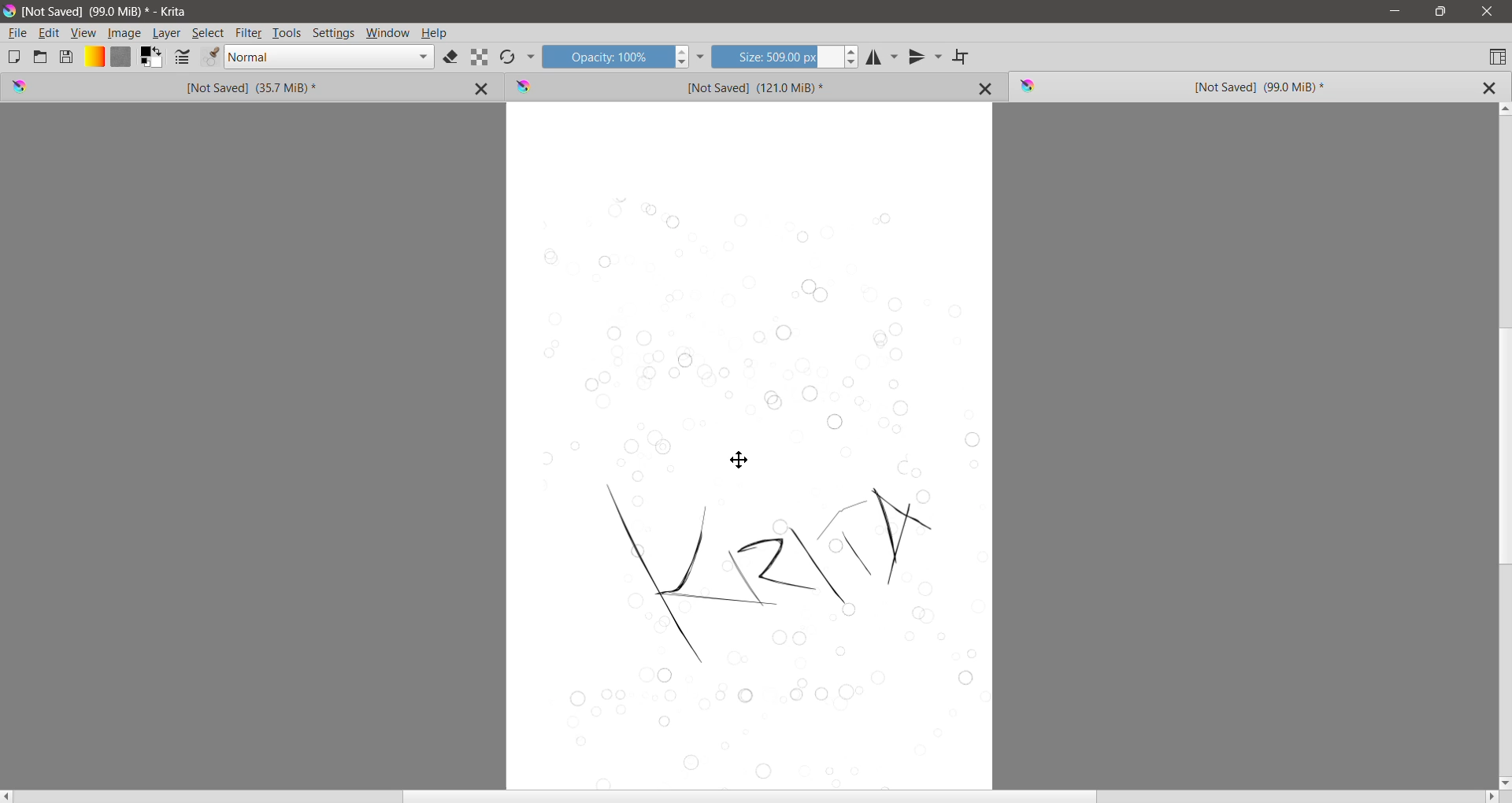  Describe the element at coordinates (17, 33) in the screenshot. I see `File` at that location.